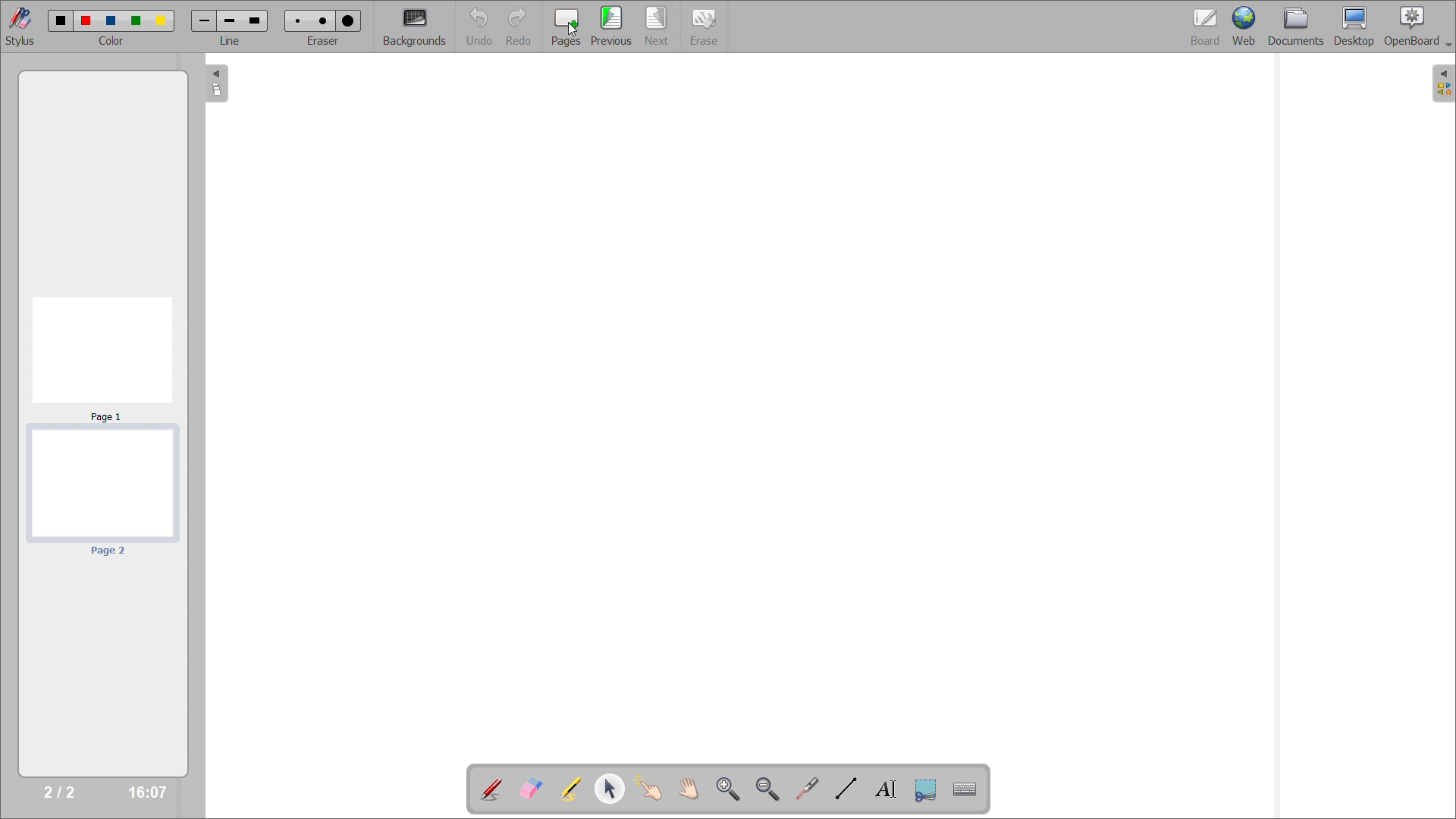 The height and width of the screenshot is (819, 1456). Describe the element at coordinates (768, 789) in the screenshot. I see `zoom out` at that location.